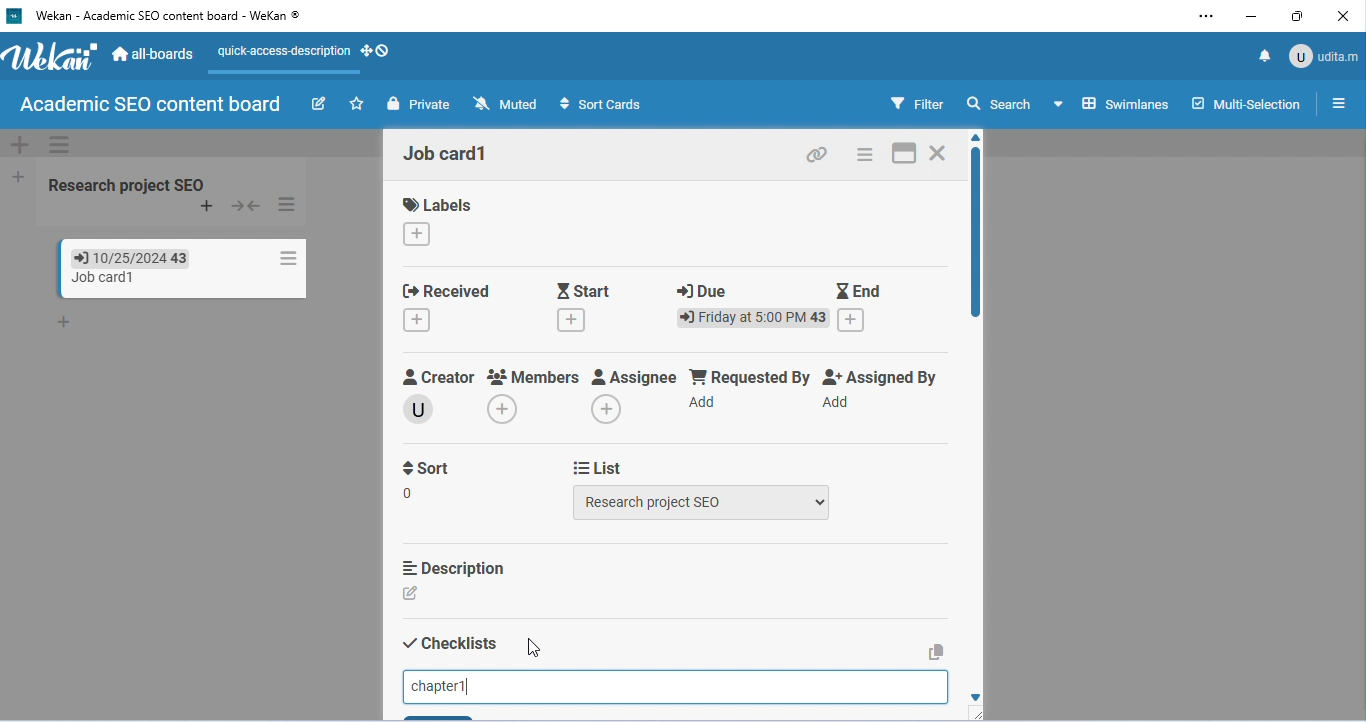 This screenshot has height=722, width=1366. What do you see at coordinates (318, 103) in the screenshot?
I see `edit` at bounding box center [318, 103].